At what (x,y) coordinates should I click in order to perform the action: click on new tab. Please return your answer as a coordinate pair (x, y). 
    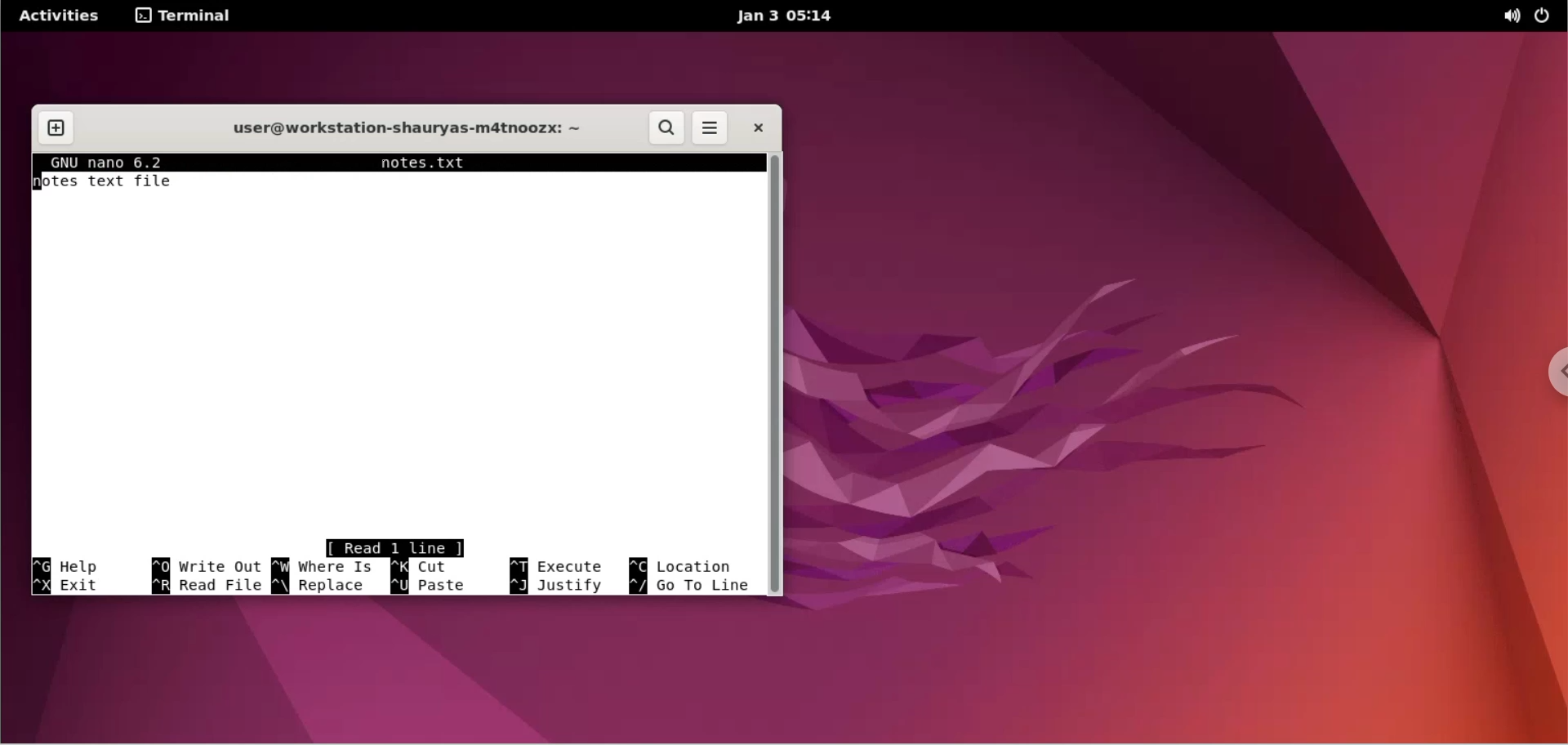
    Looking at the image, I should click on (55, 130).